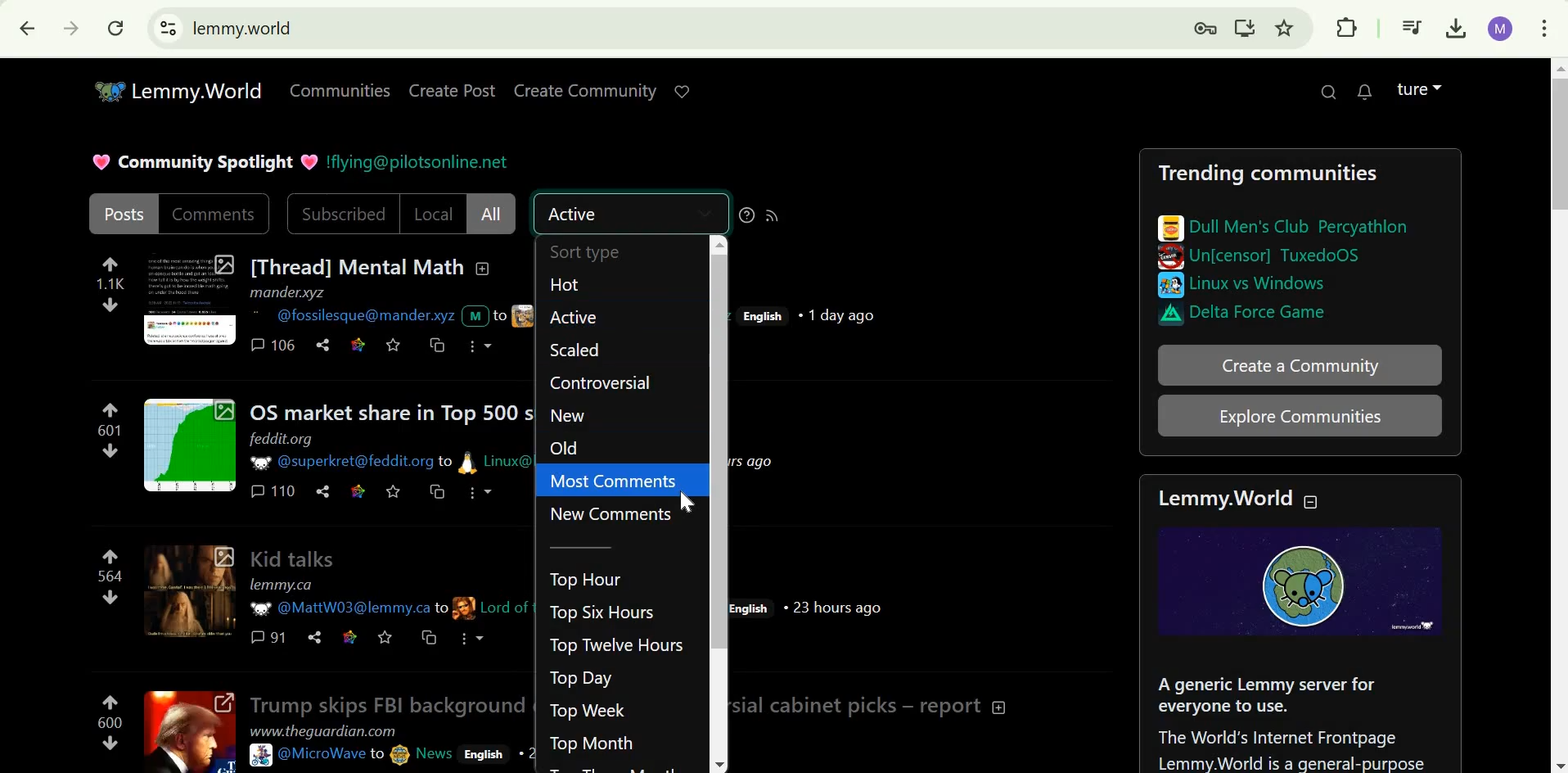 The image size is (1568, 773). What do you see at coordinates (613, 481) in the screenshot?
I see `Most comments` at bounding box center [613, 481].